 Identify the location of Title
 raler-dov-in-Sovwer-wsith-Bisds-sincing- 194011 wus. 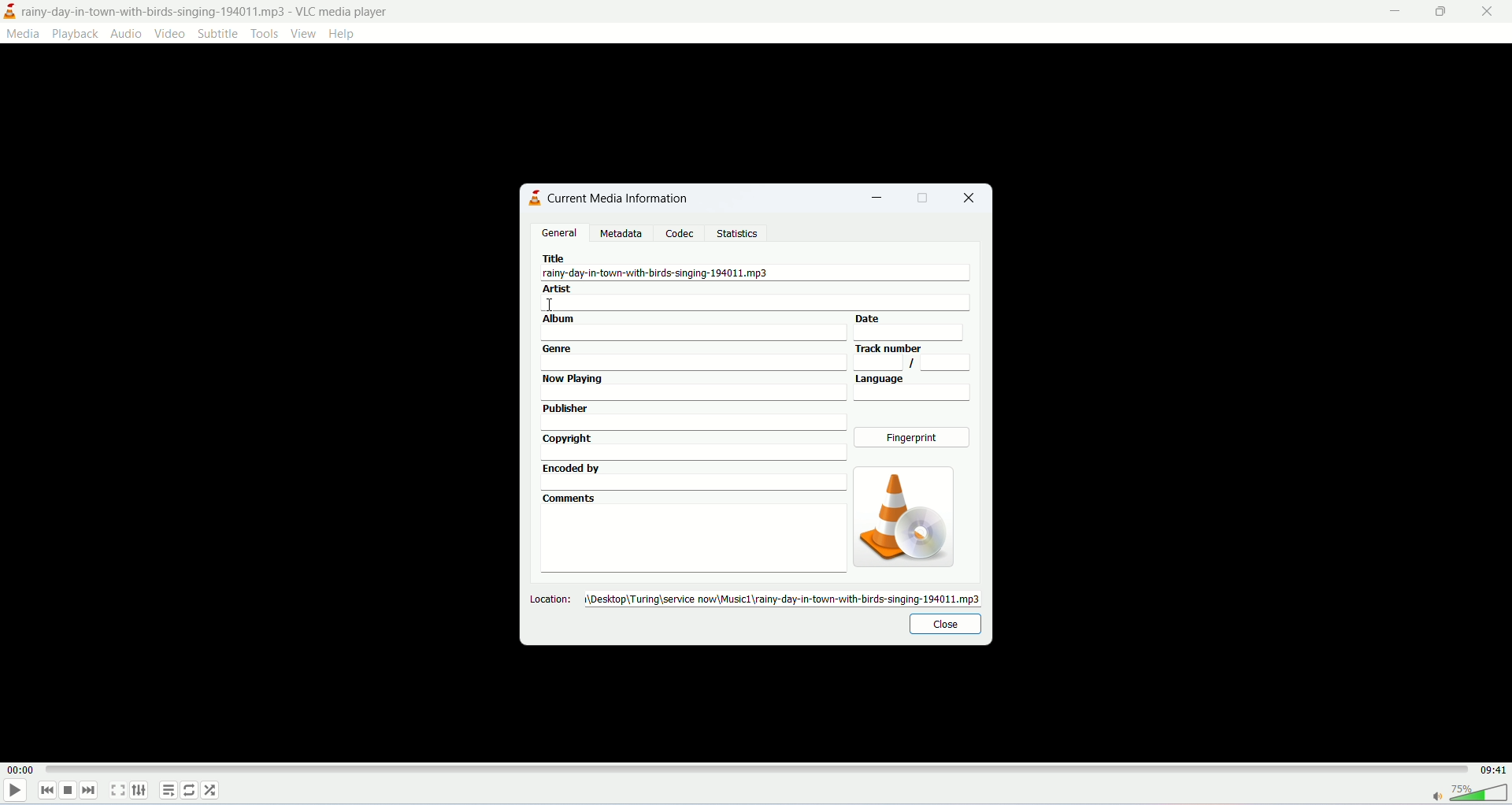
(692, 266).